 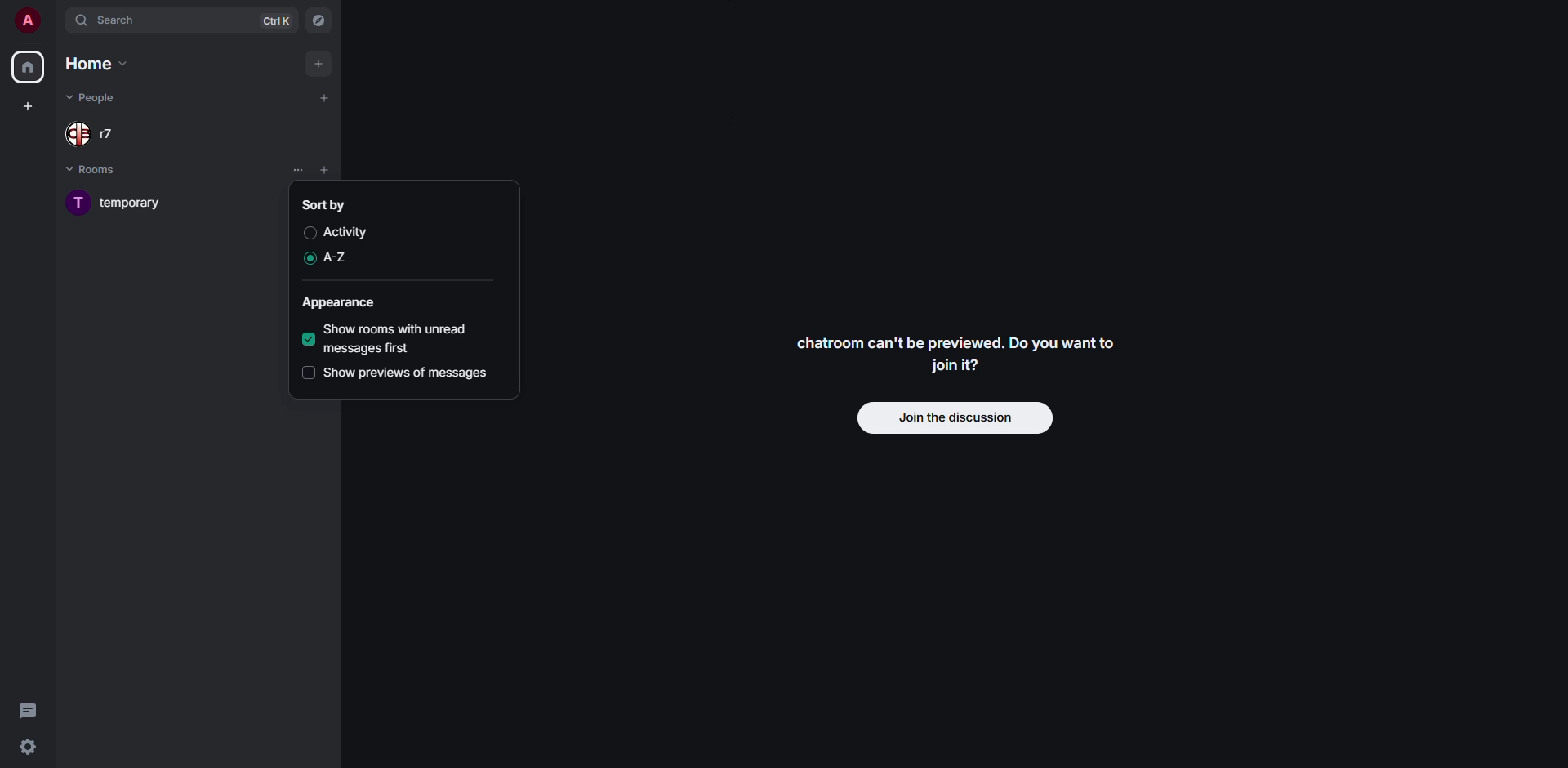 What do you see at coordinates (305, 373) in the screenshot?
I see `disabled` at bounding box center [305, 373].